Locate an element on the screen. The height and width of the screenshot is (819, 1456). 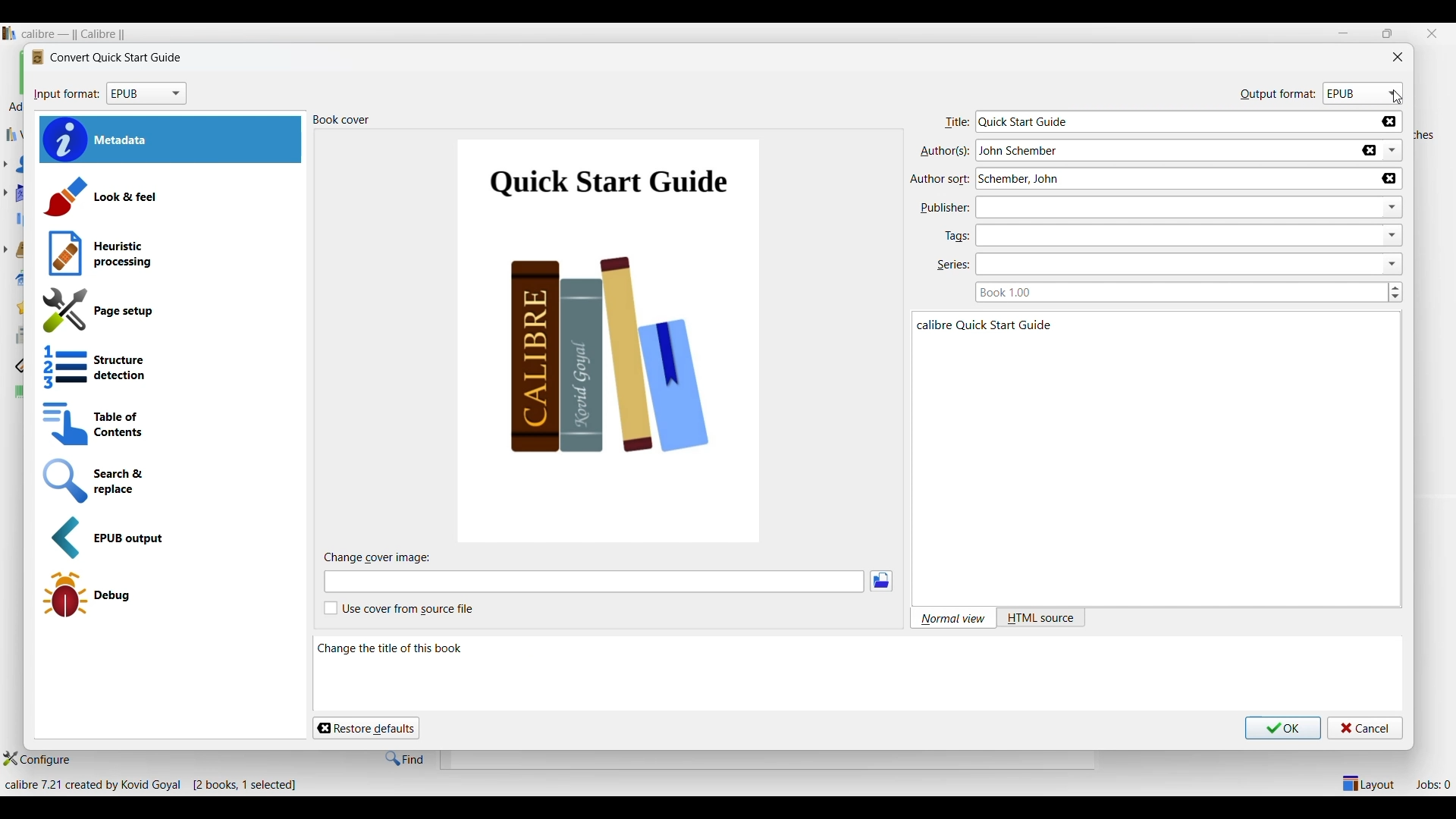
Cover of current book is located at coordinates (611, 339).